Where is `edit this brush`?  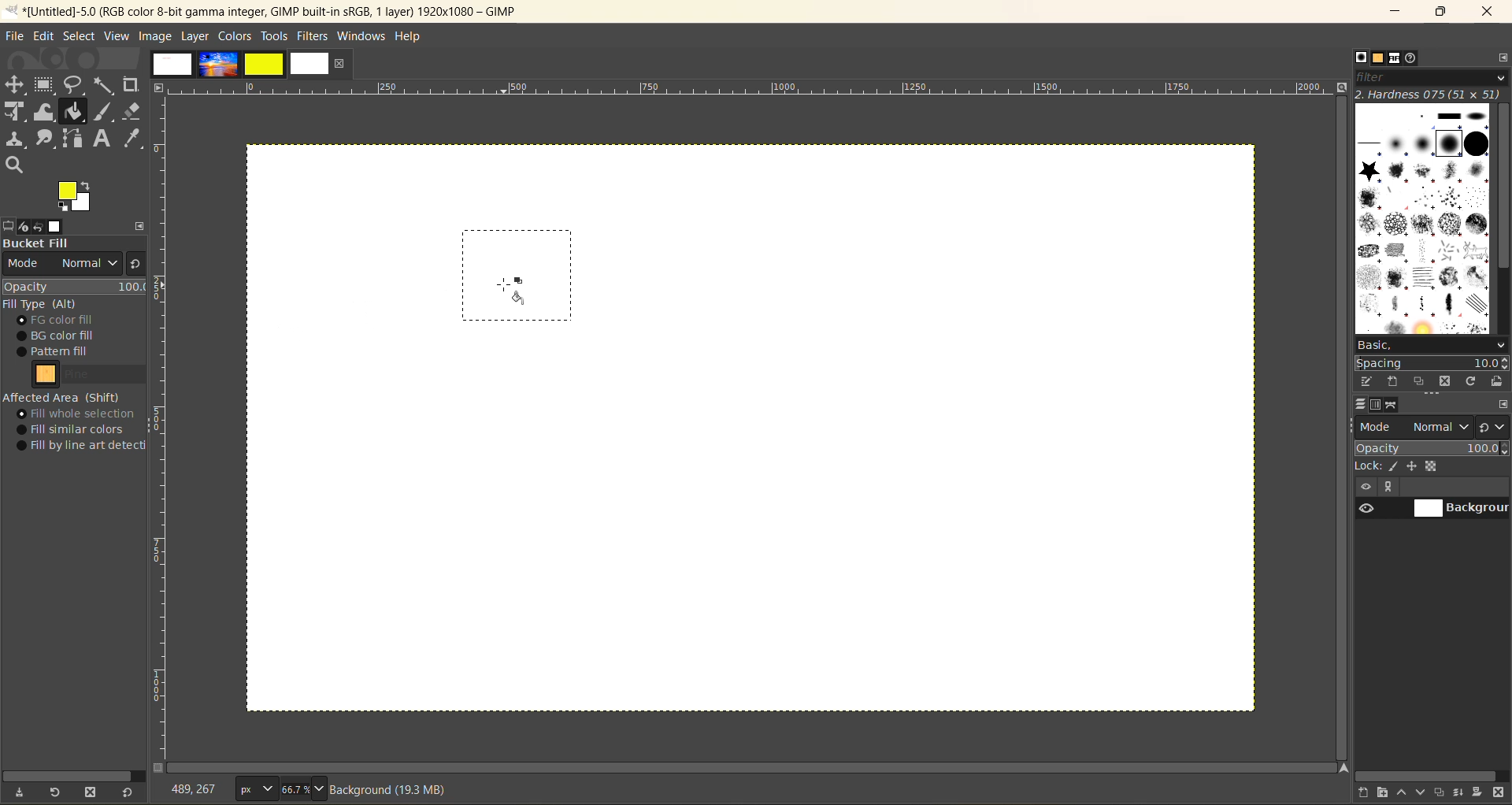 edit this brush is located at coordinates (1369, 383).